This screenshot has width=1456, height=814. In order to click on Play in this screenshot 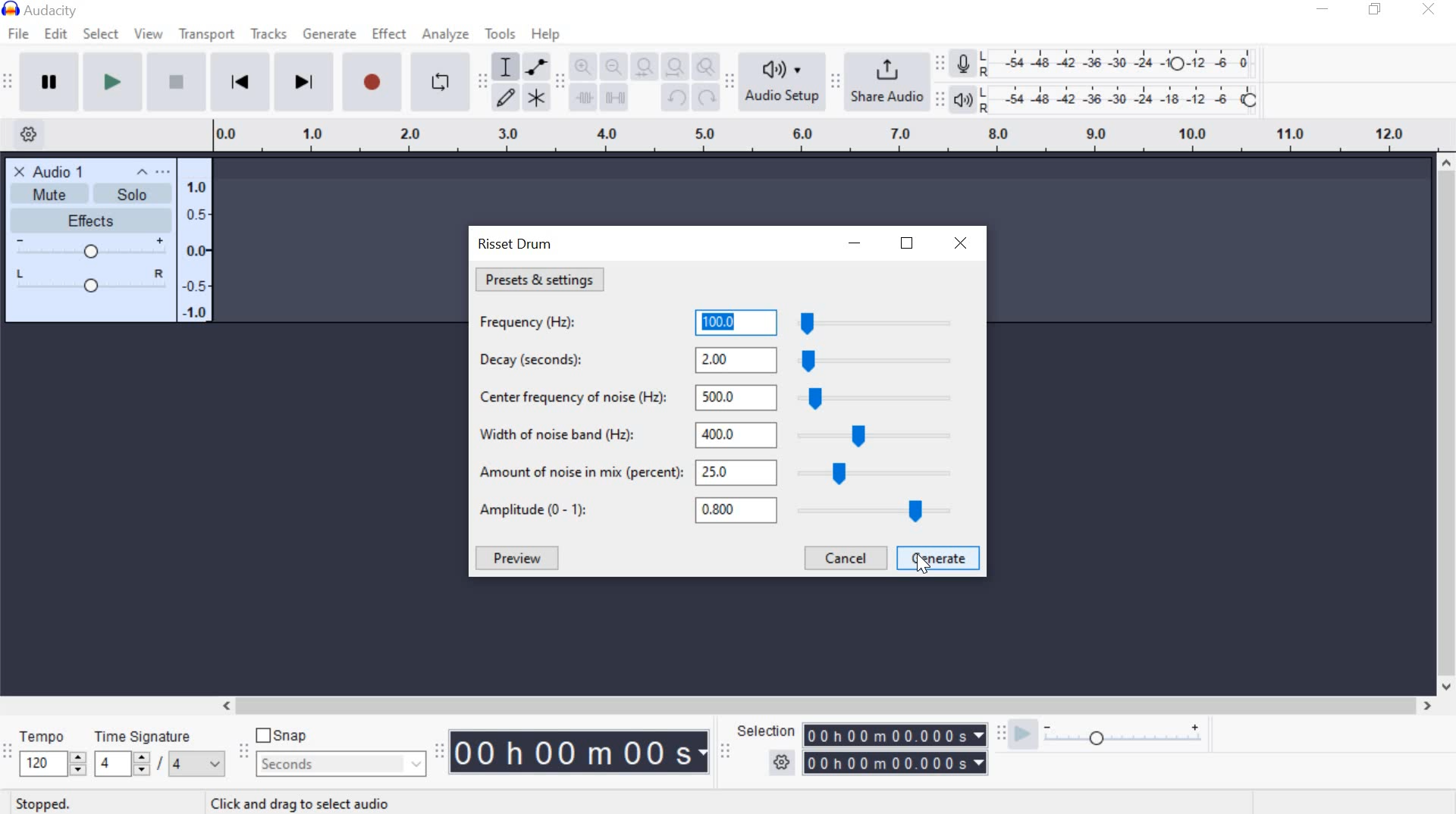, I will do `click(110, 81)`.